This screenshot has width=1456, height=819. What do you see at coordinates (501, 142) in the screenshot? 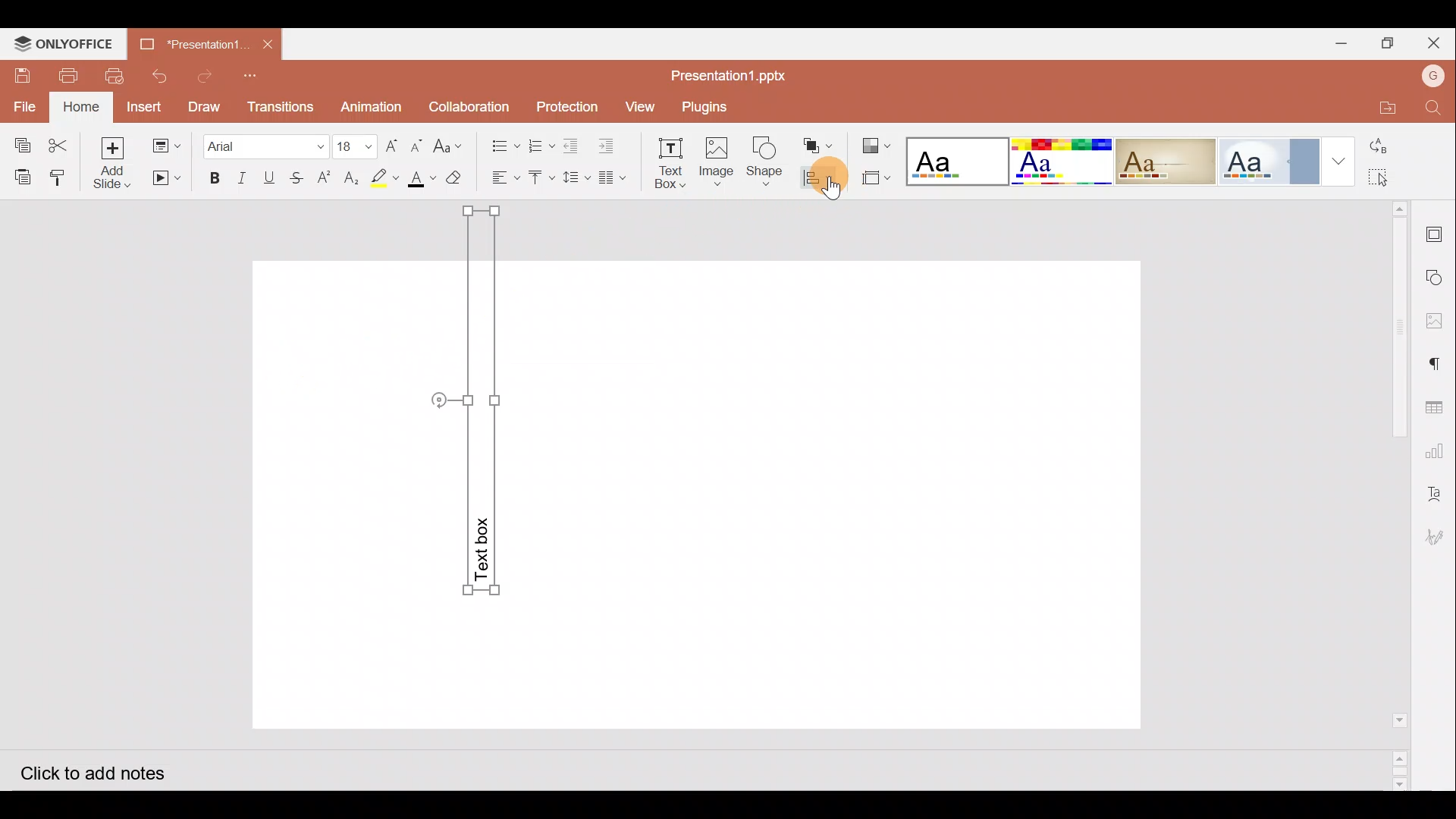
I see `Bullets` at bounding box center [501, 142].